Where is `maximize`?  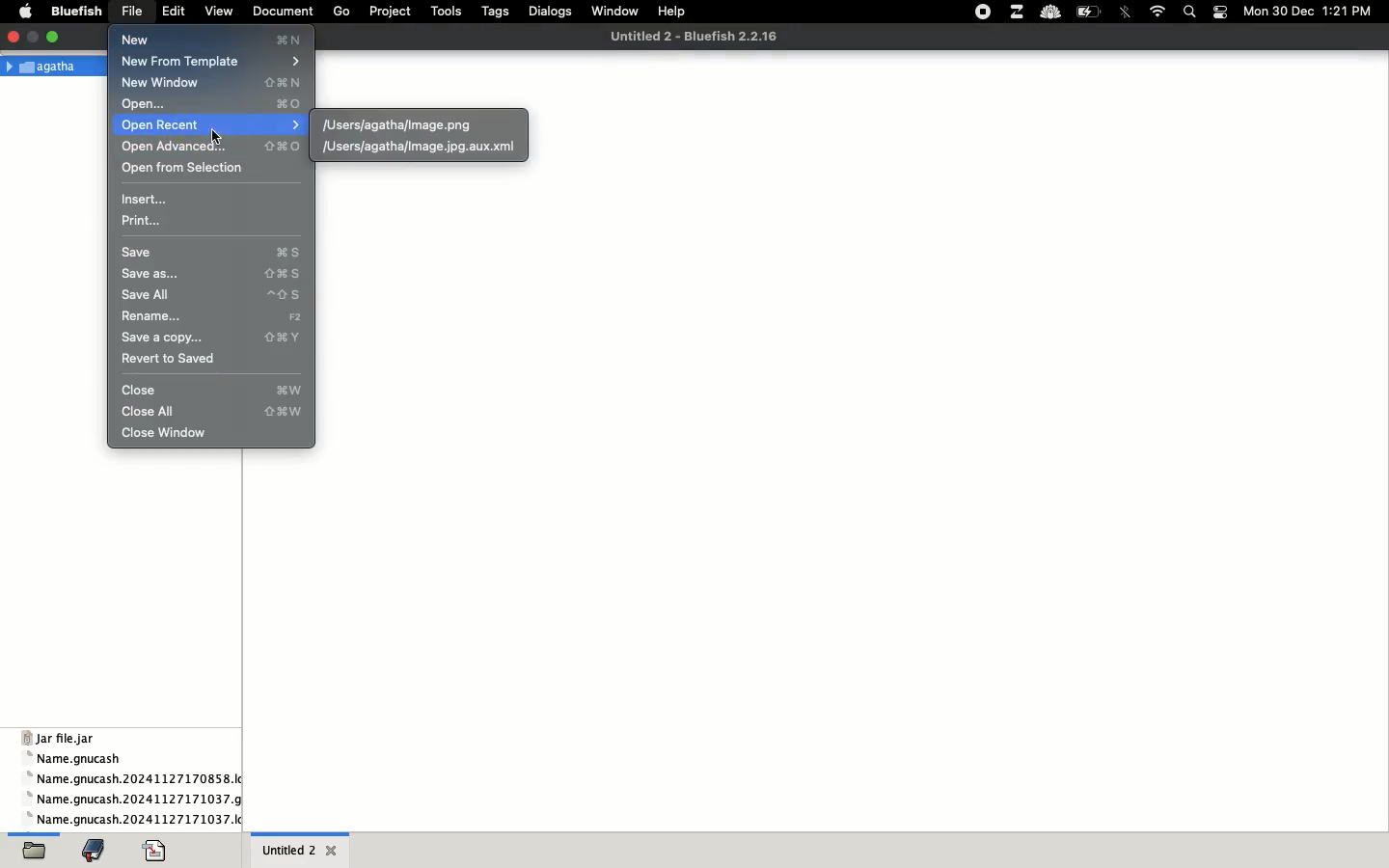 maximize is located at coordinates (33, 36).